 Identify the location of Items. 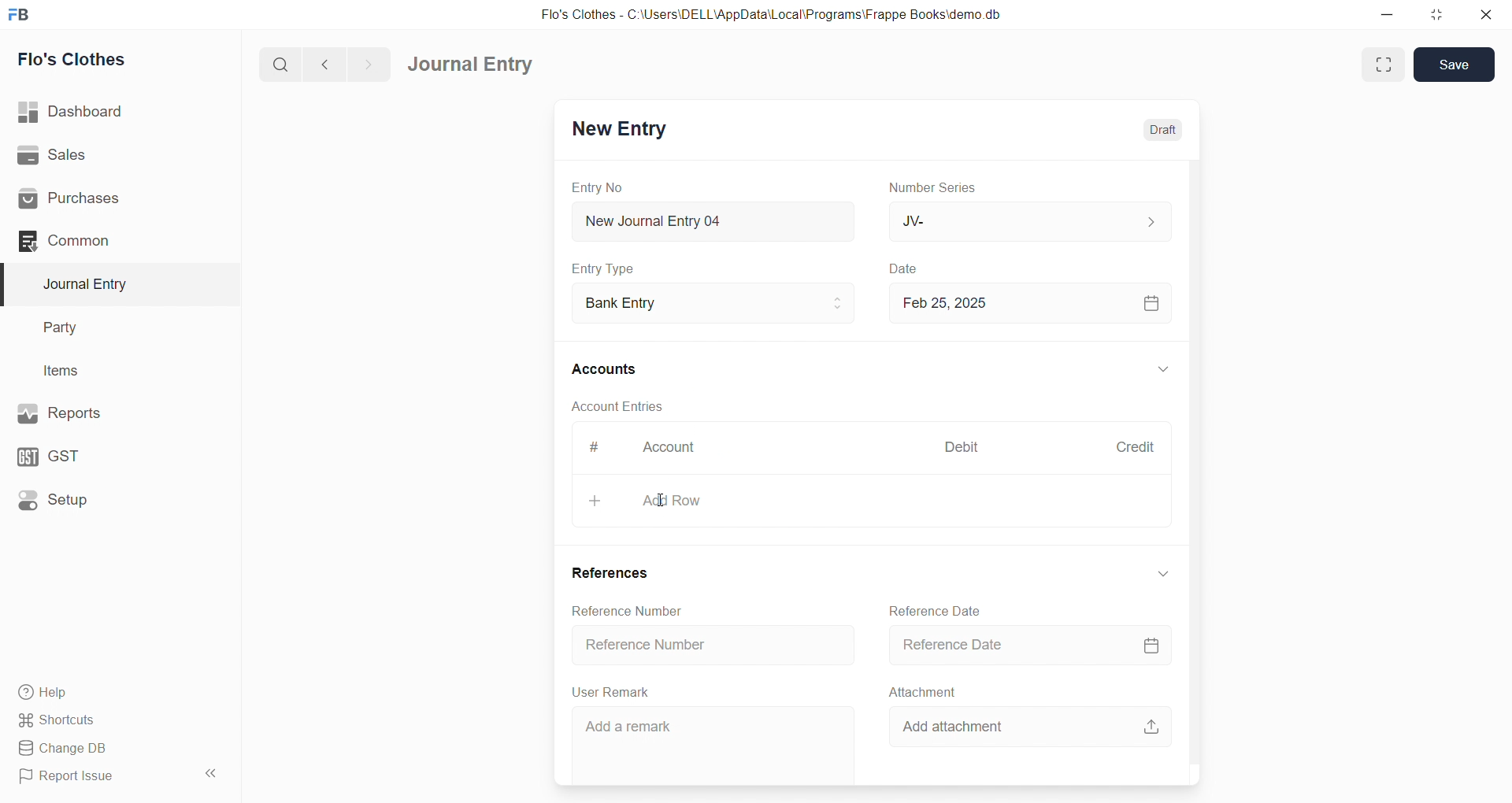
(109, 372).